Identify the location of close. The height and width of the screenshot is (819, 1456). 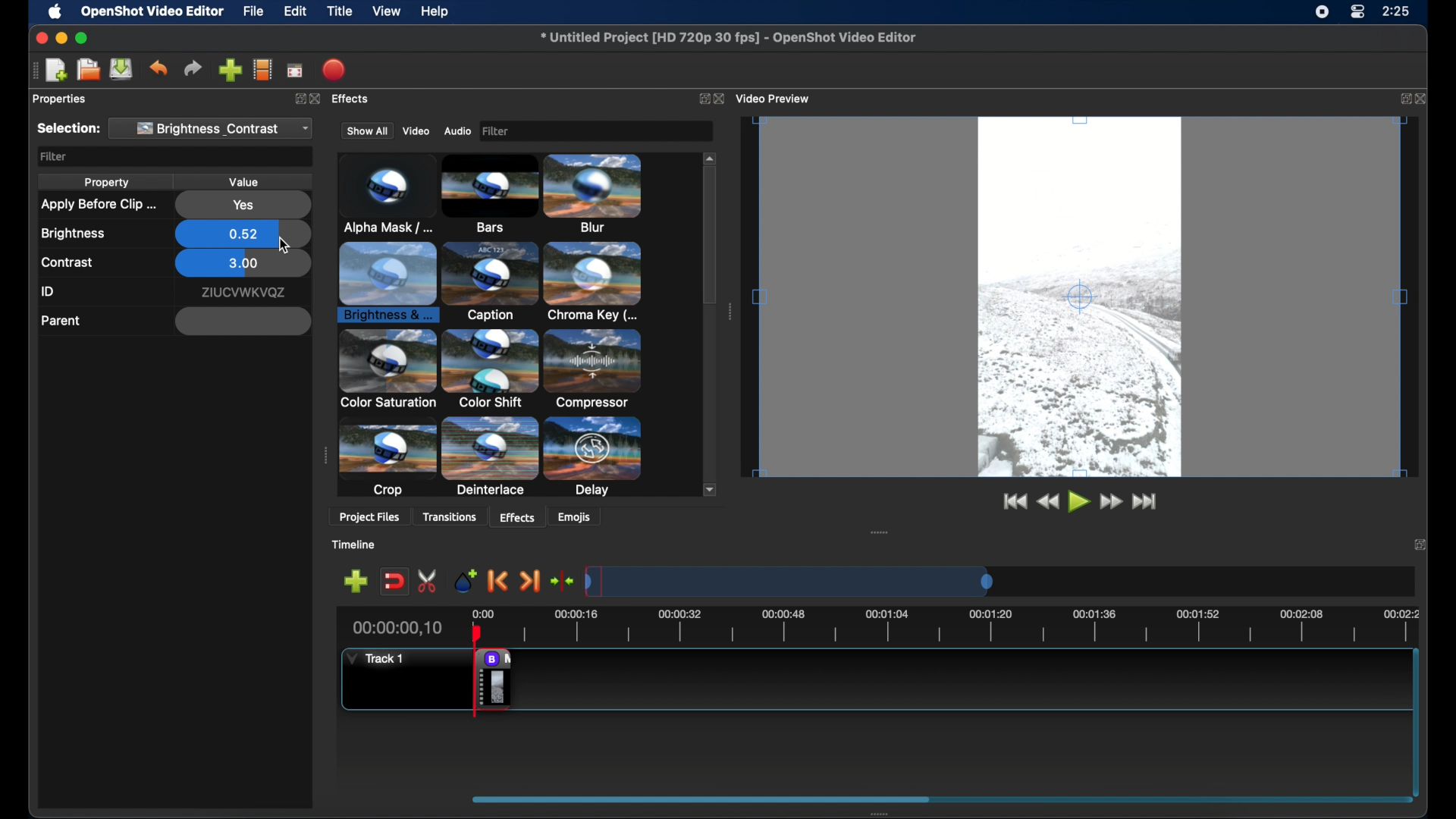
(1423, 98).